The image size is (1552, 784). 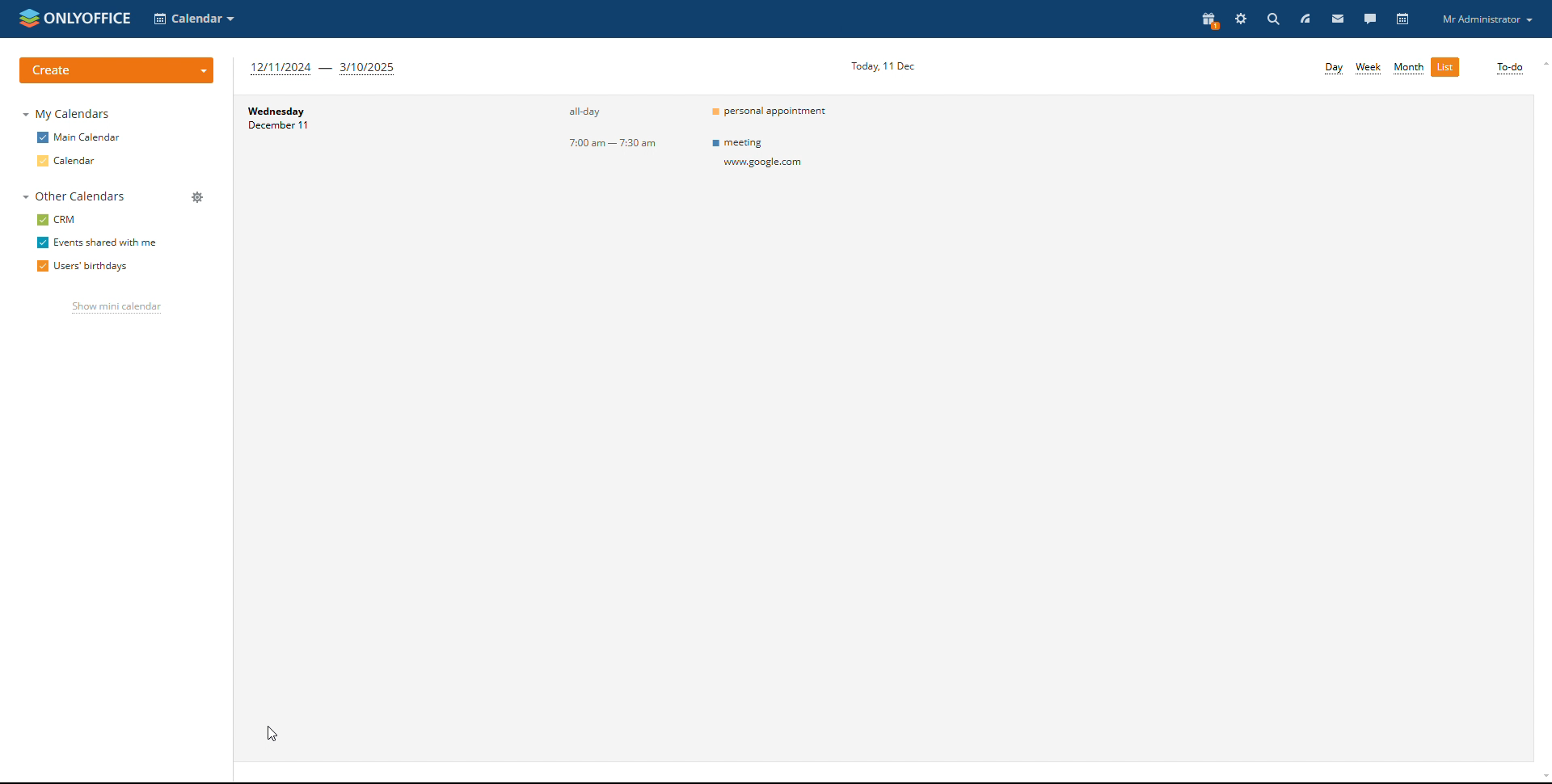 I want to click on logo, so click(x=74, y=16).